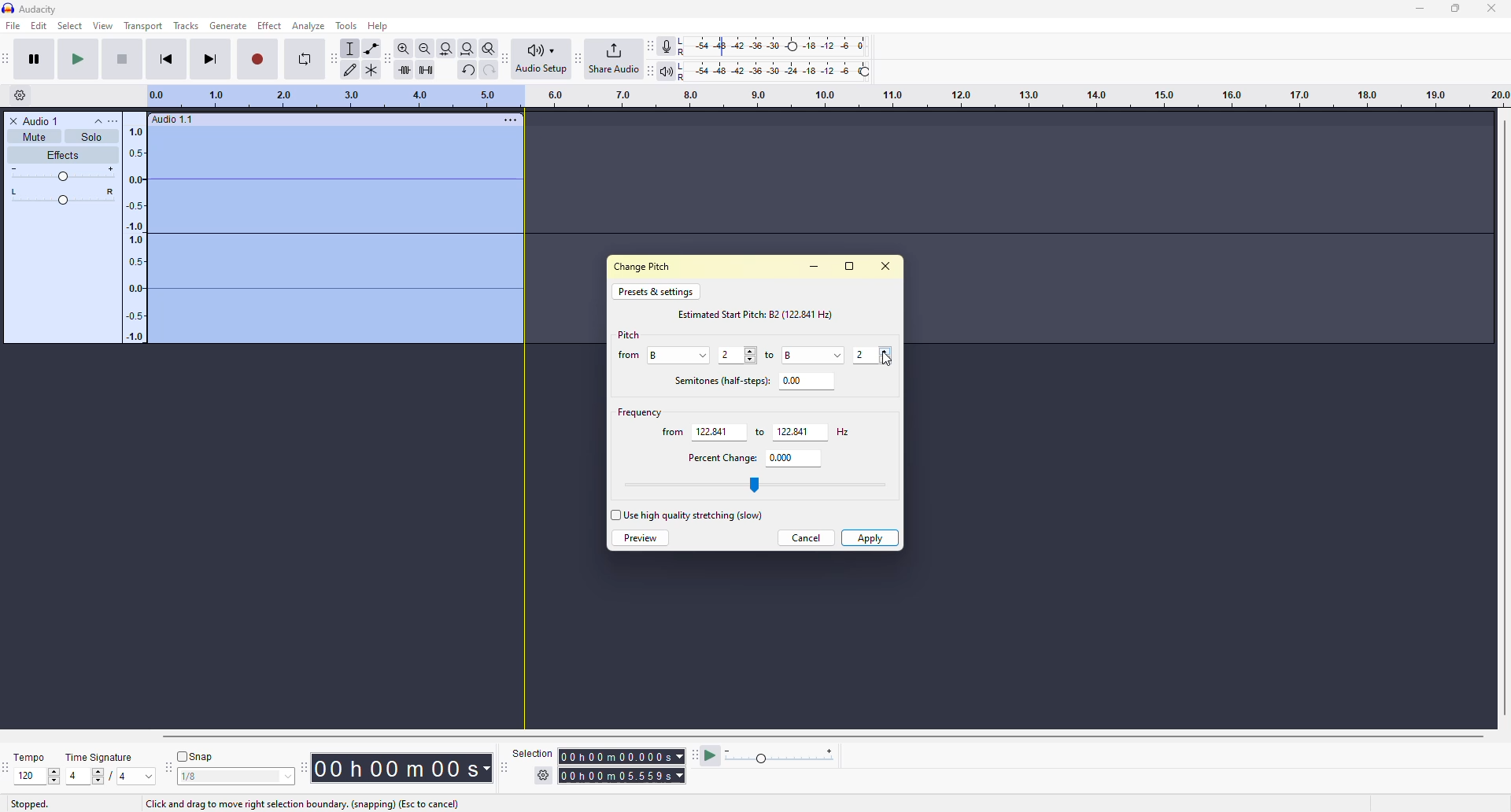 This screenshot has height=812, width=1511. Describe the element at coordinates (666, 70) in the screenshot. I see `playback meter` at that location.